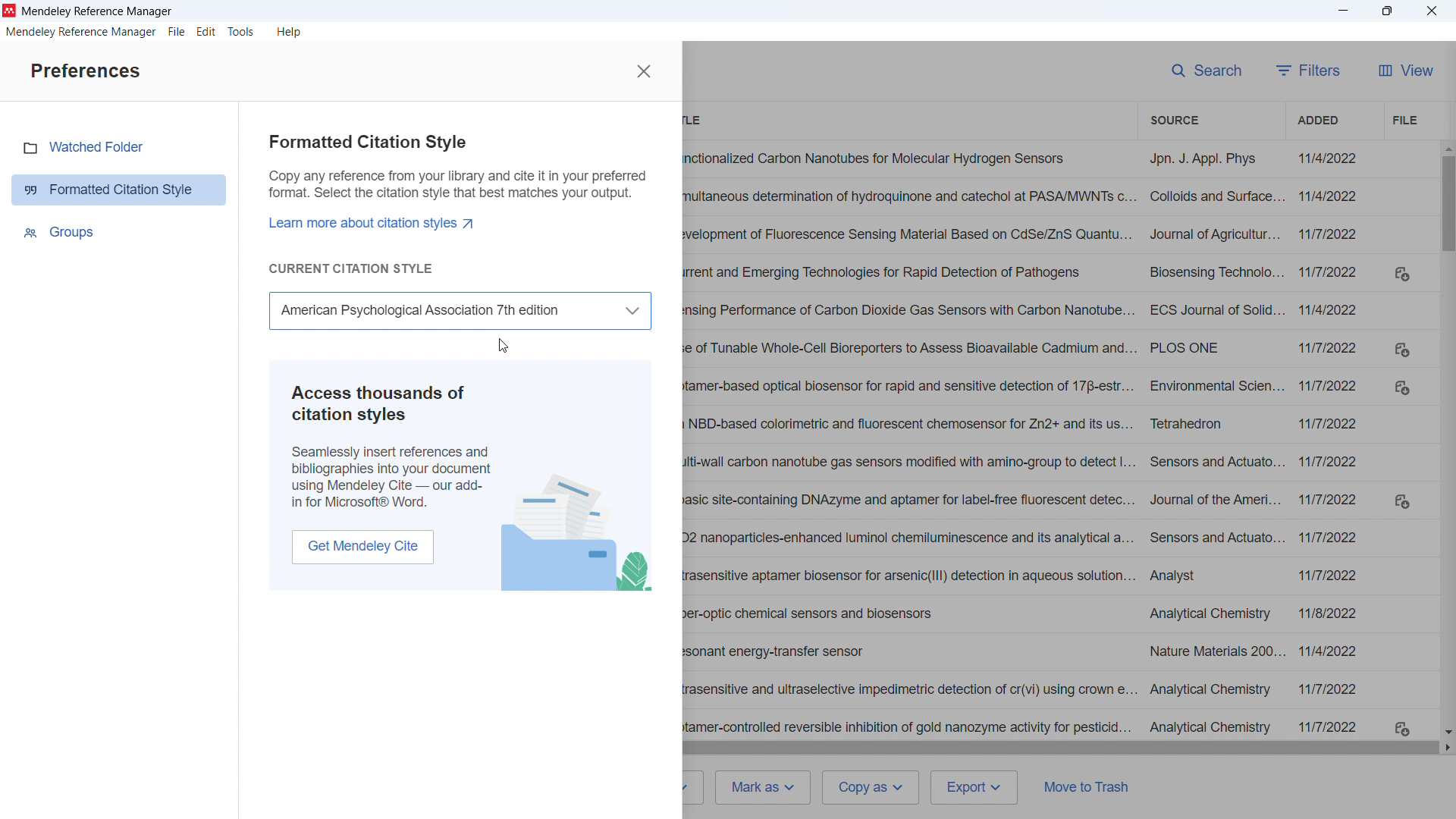 Image resolution: width=1456 pixels, height=819 pixels. What do you see at coordinates (1172, 119) in the screenshot?
I see `Sort by source ` at bounding box center [1172, 119].